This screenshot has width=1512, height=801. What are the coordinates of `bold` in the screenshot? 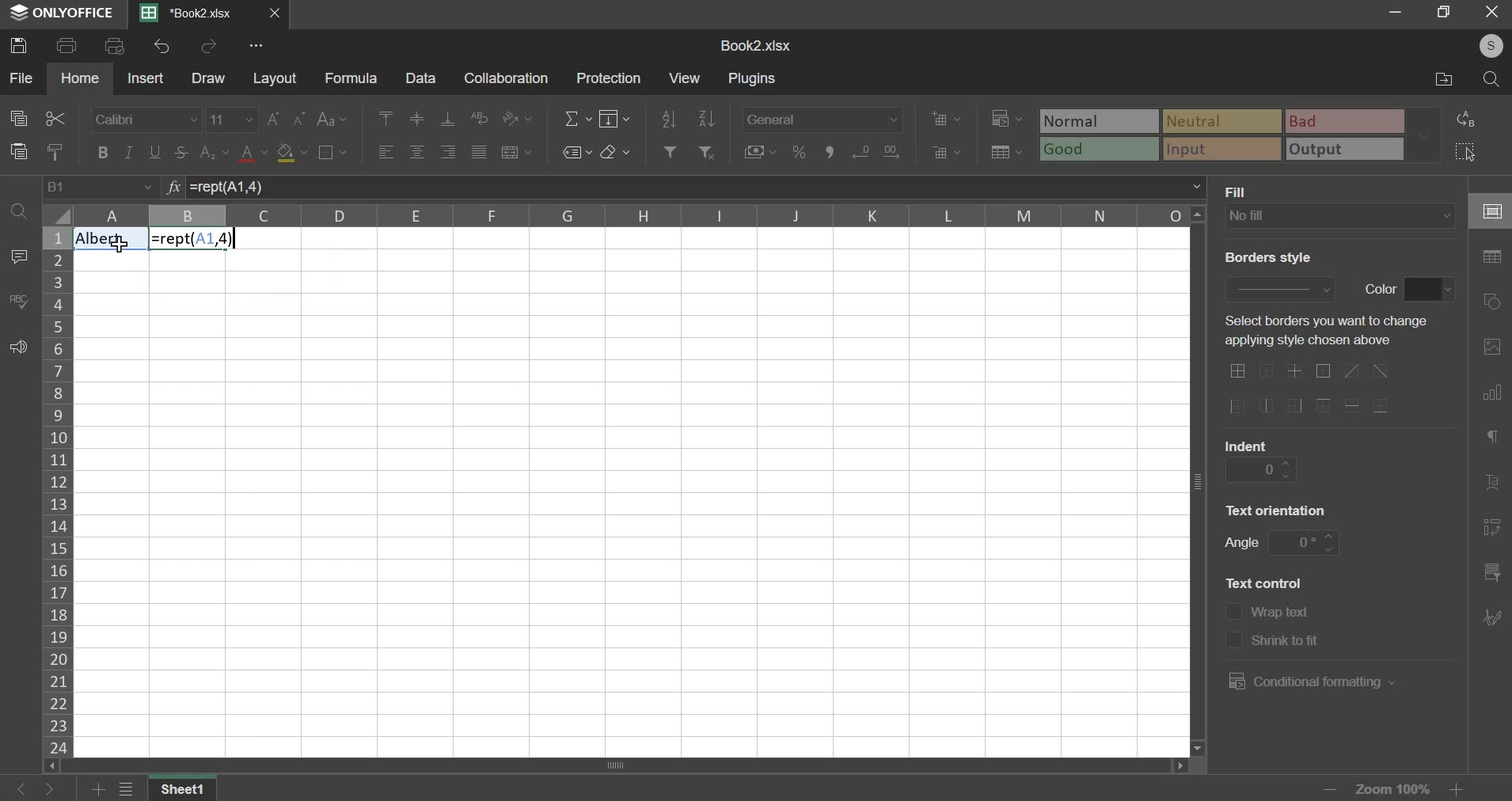 It's located at (102, 152).